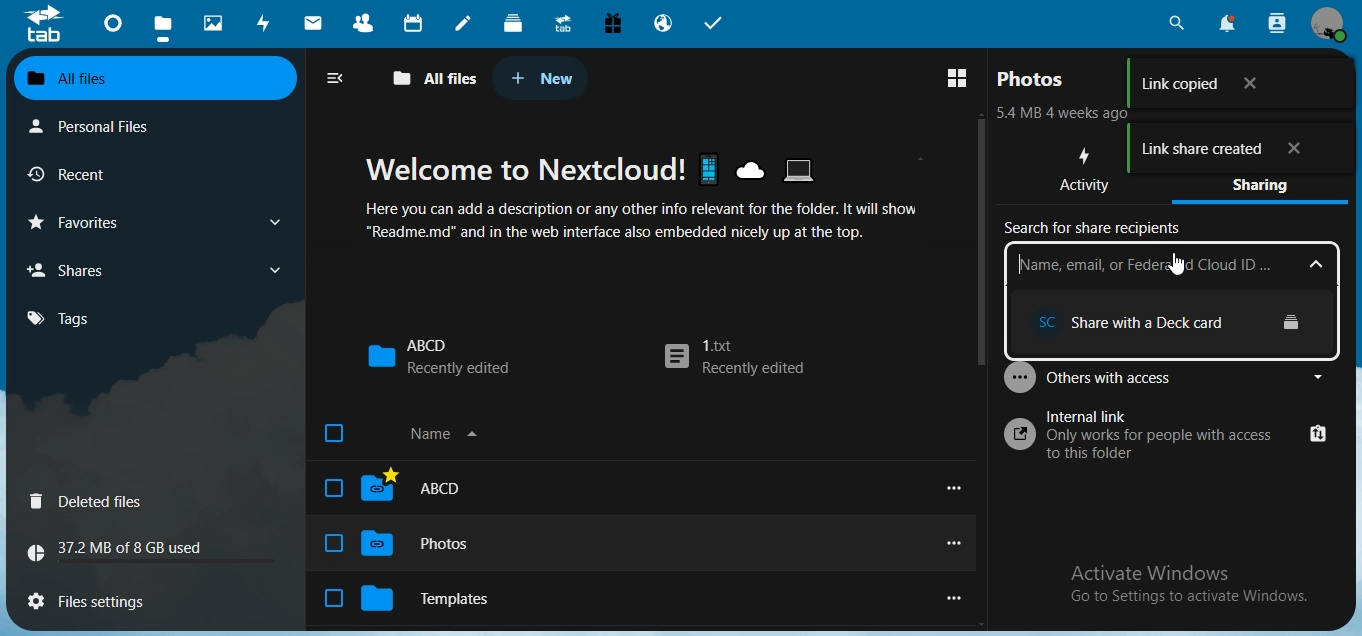 The image size is (1362, 636). I want to click on upgrade, so click(567, 26).